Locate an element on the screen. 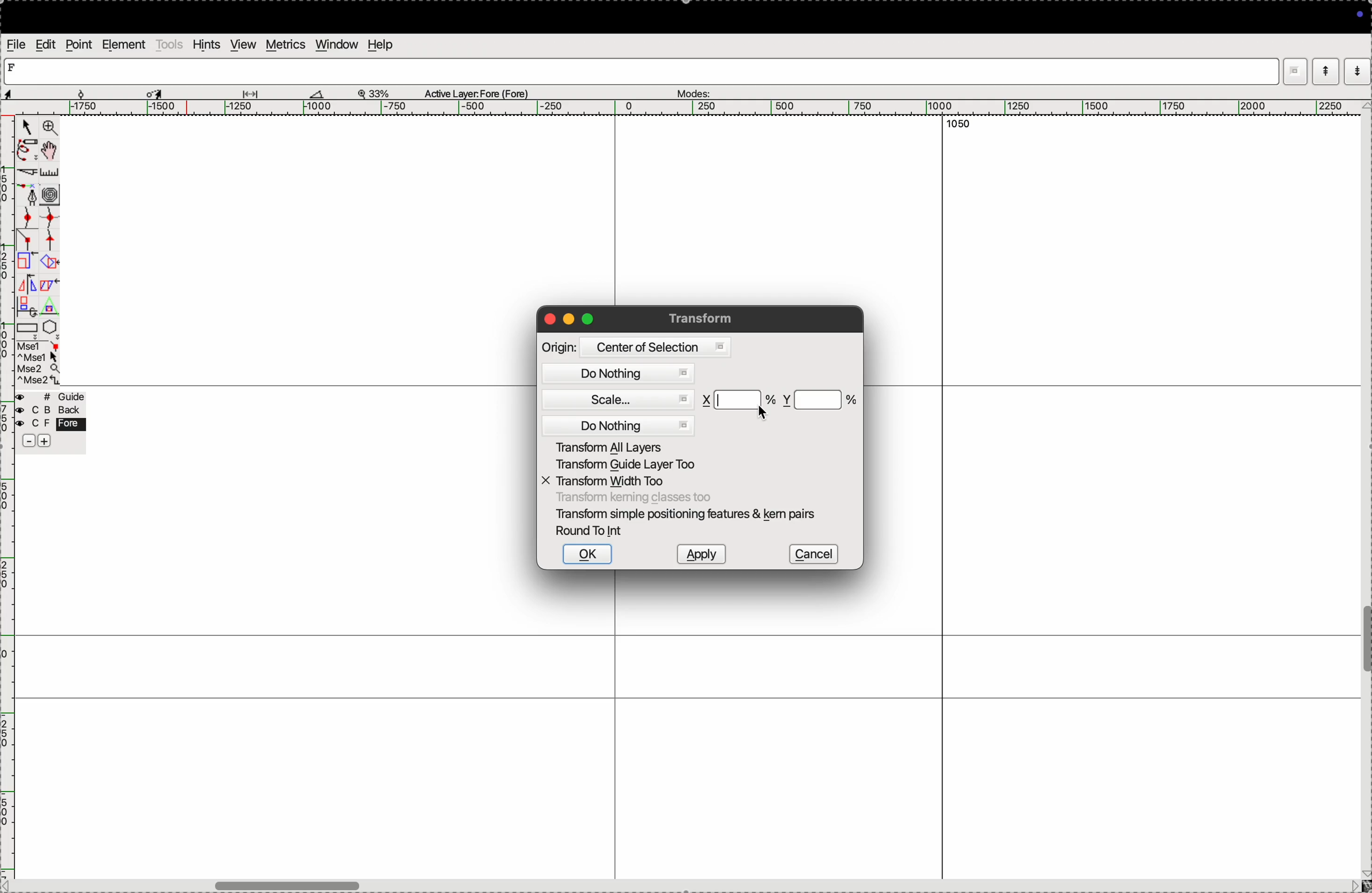 This screenshot has width=1372, height=893. apply is located at coordinates (700, 554).